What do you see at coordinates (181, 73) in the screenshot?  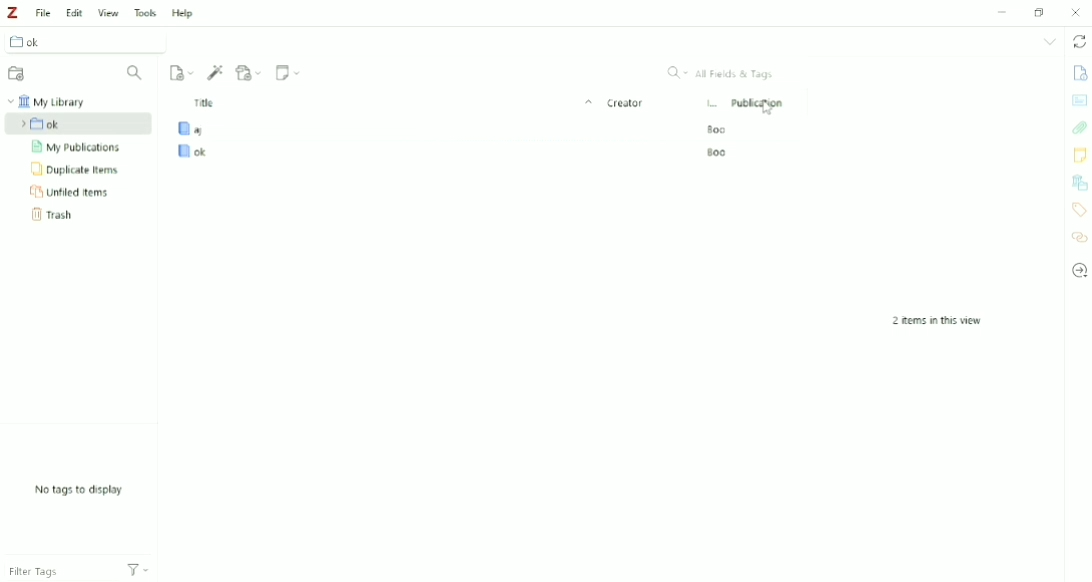 I see `New Item` at bounding box center [181, 73].